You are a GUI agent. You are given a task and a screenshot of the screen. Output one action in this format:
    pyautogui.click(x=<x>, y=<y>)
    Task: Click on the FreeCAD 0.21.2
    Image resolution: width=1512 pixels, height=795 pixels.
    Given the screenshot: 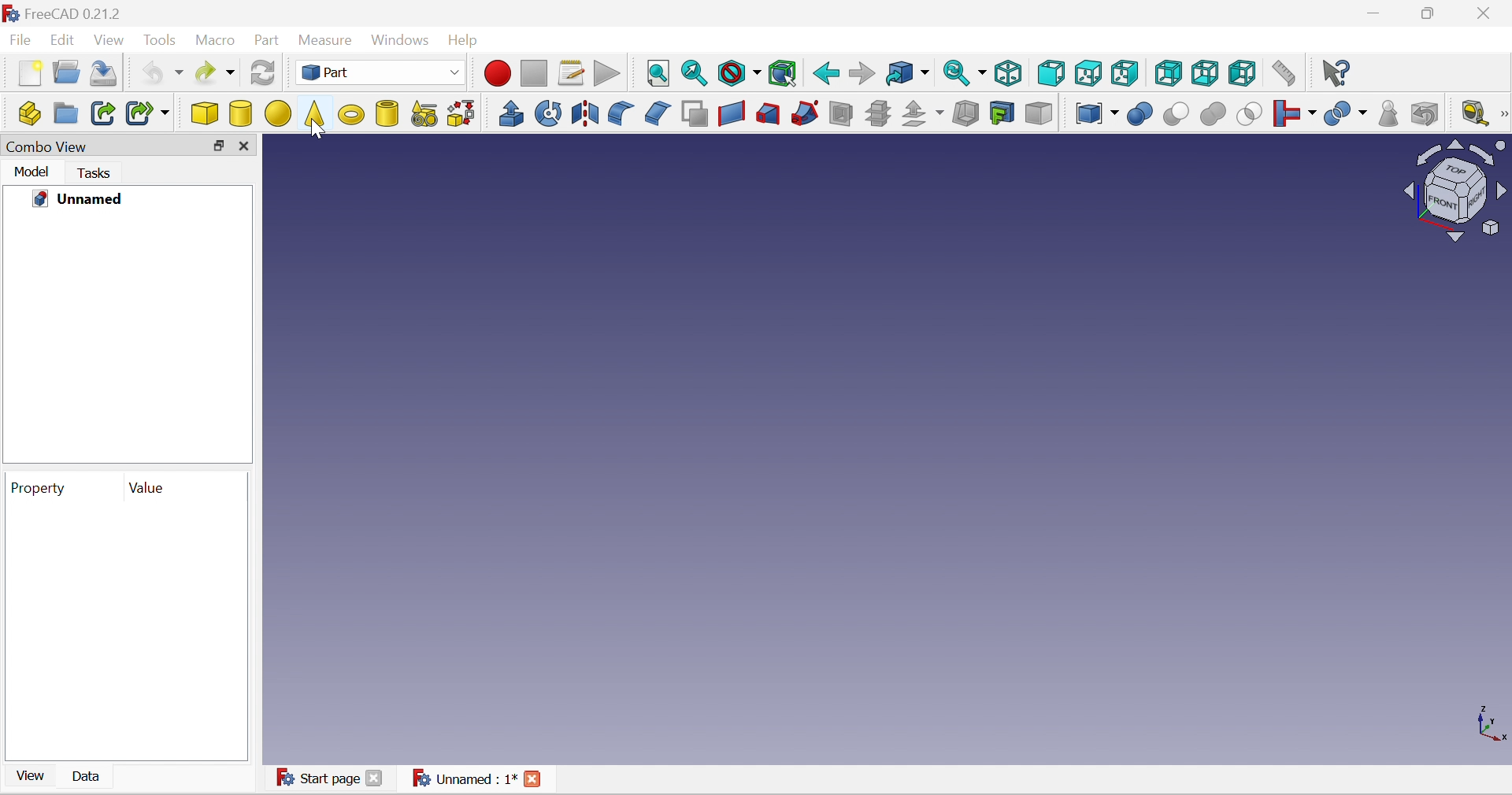 What is the action you would take?
    pyautogui.click(x=69, y=15)
    